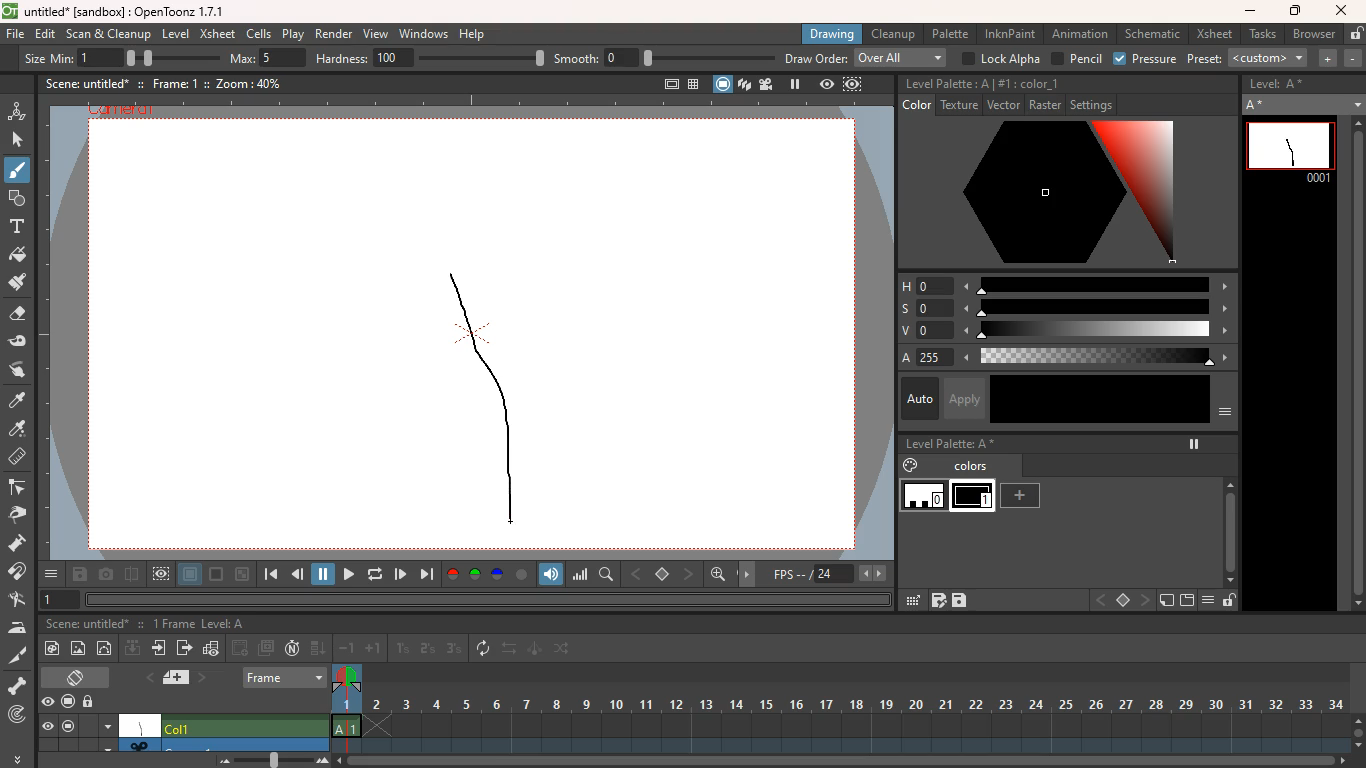  What do you see at coordinates (1301, 104) in the screenshot?
I see `A *` at bounding box center [1301, 104].